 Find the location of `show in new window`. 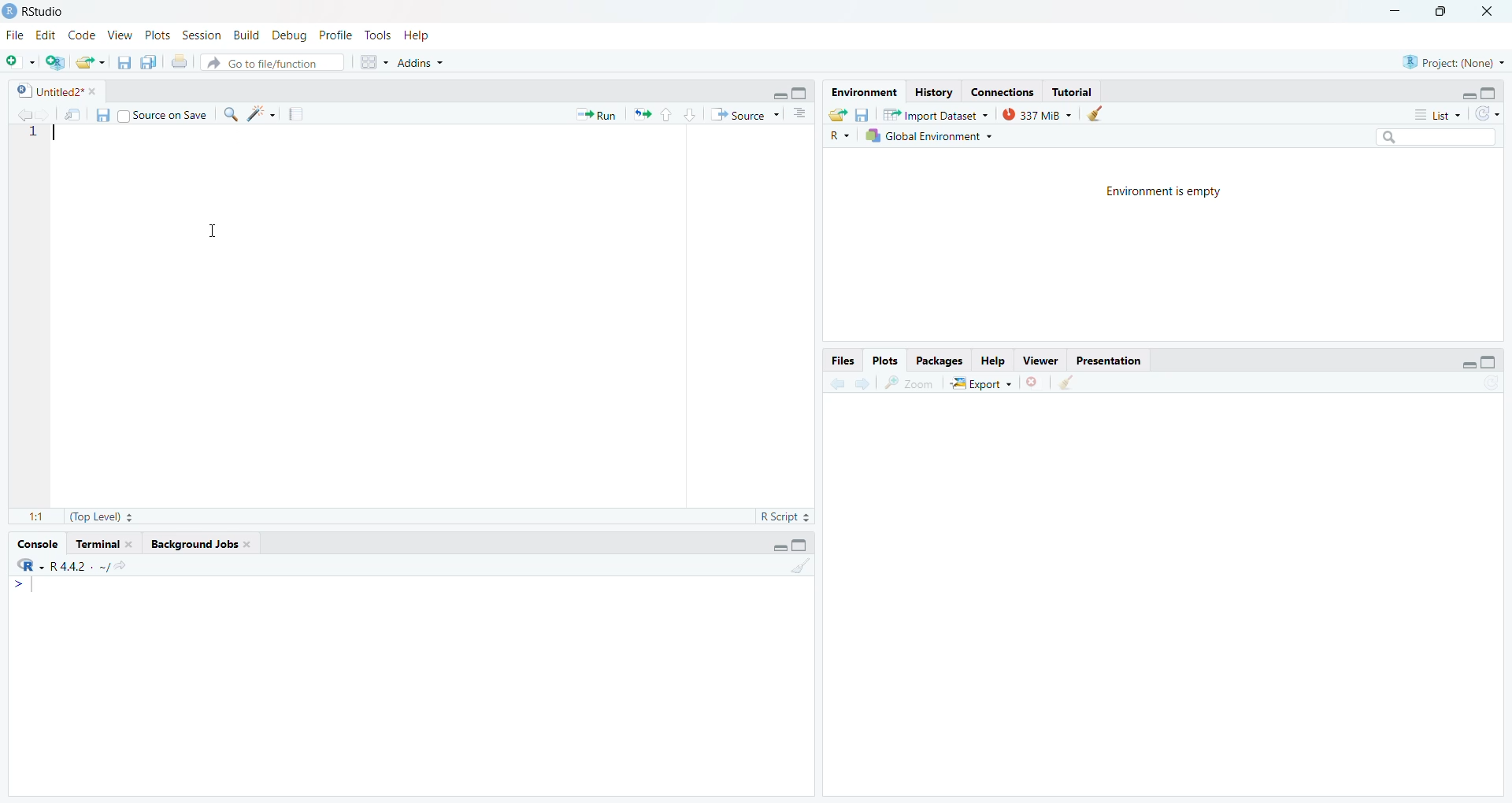

show in new window is located at coordinates (72, 114).